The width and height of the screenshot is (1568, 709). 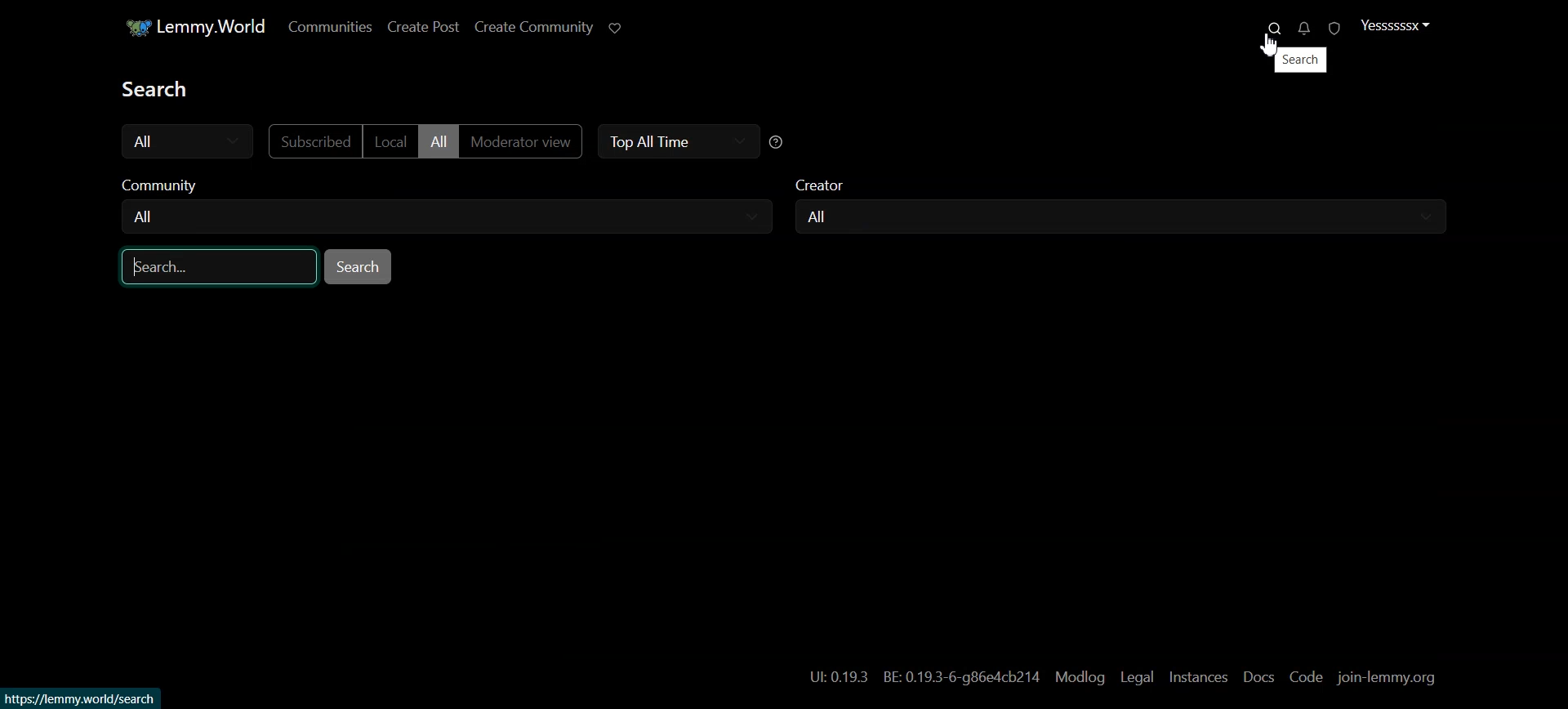 What do you see at coordinates (323, 26) in the screenshot?
I see `Communities` at bounding box center [323, 26].